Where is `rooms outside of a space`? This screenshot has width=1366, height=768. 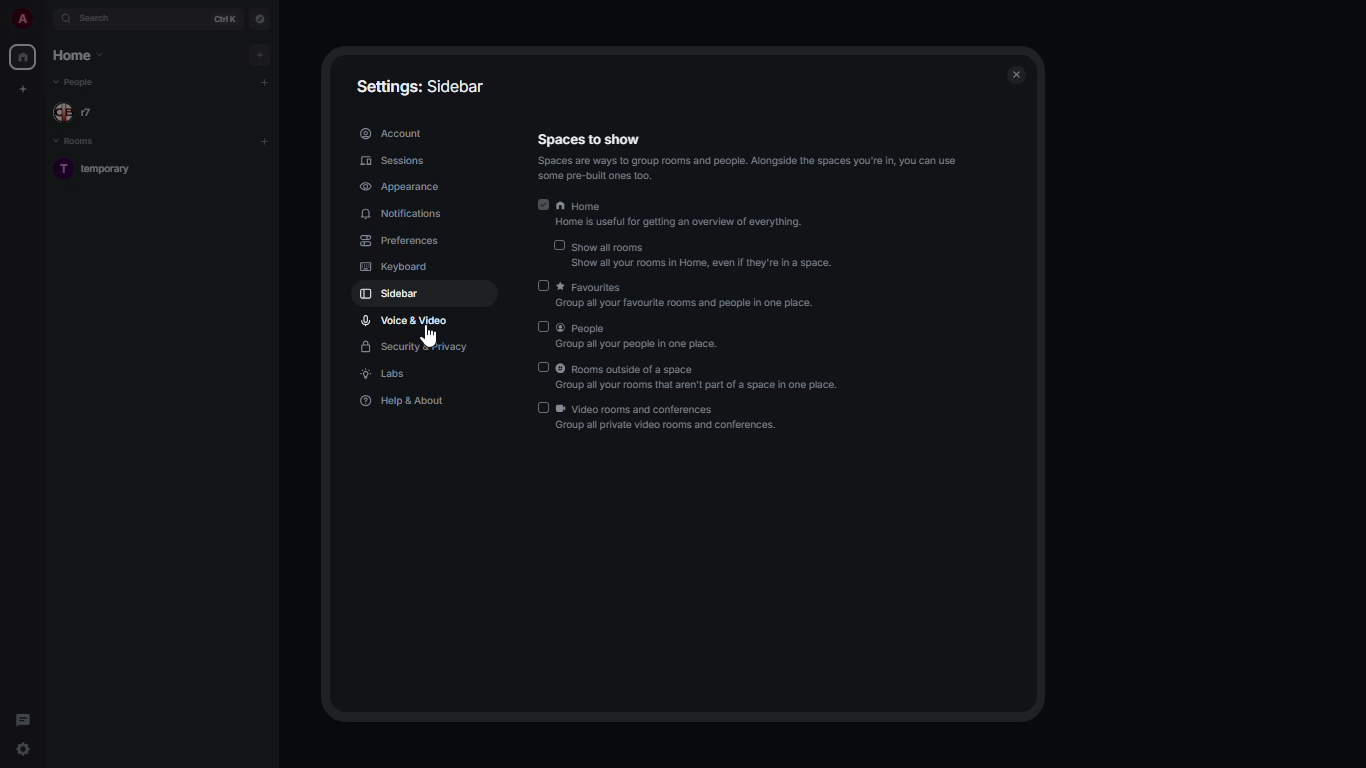 rooms outside of a space is located at coordinates (701, 379).